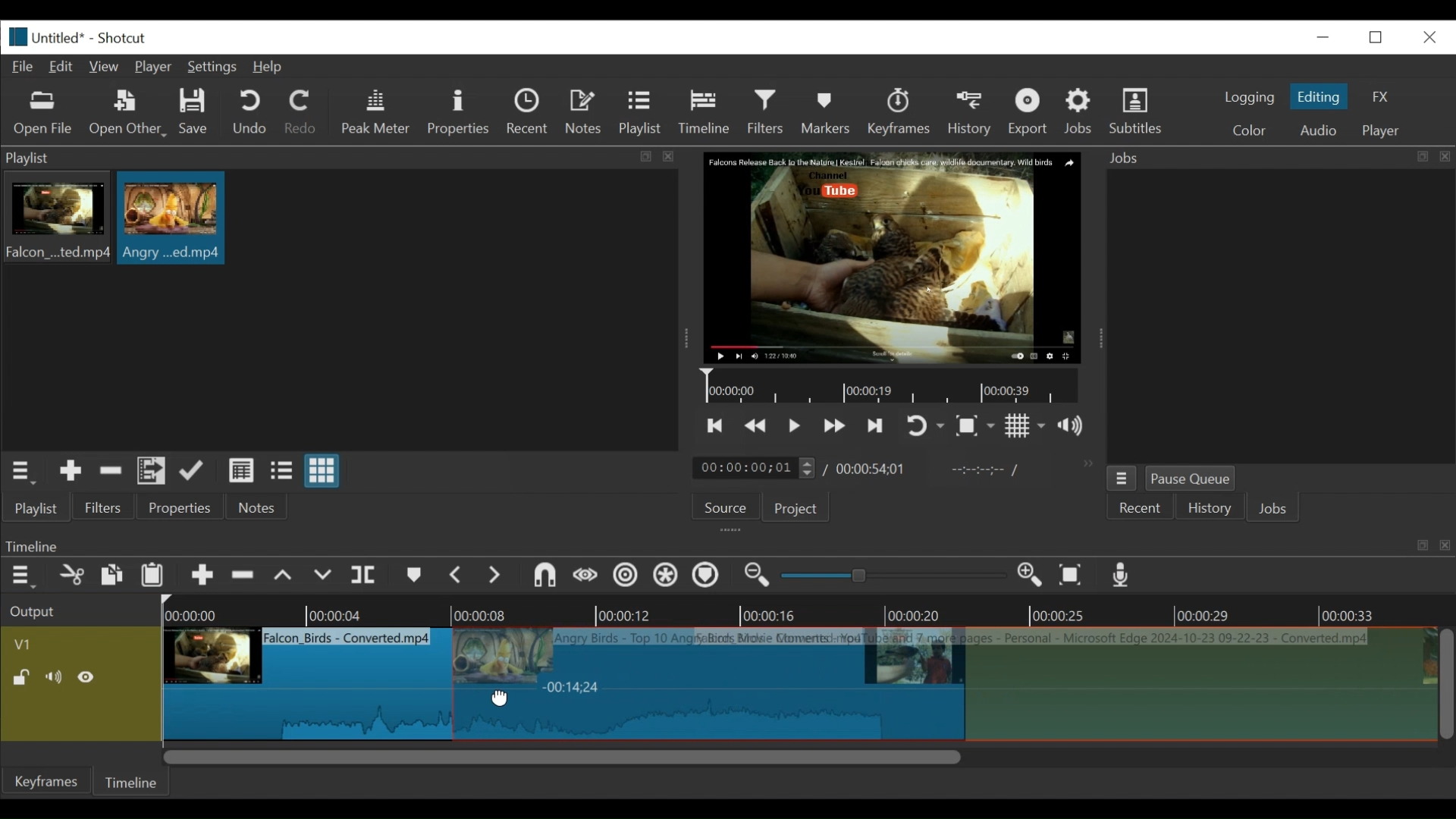 The width and height of the screenshot is (1456, 819). Describe the element at coordinates (890, 257) in the screenshot. I see `media viewer` at that location.